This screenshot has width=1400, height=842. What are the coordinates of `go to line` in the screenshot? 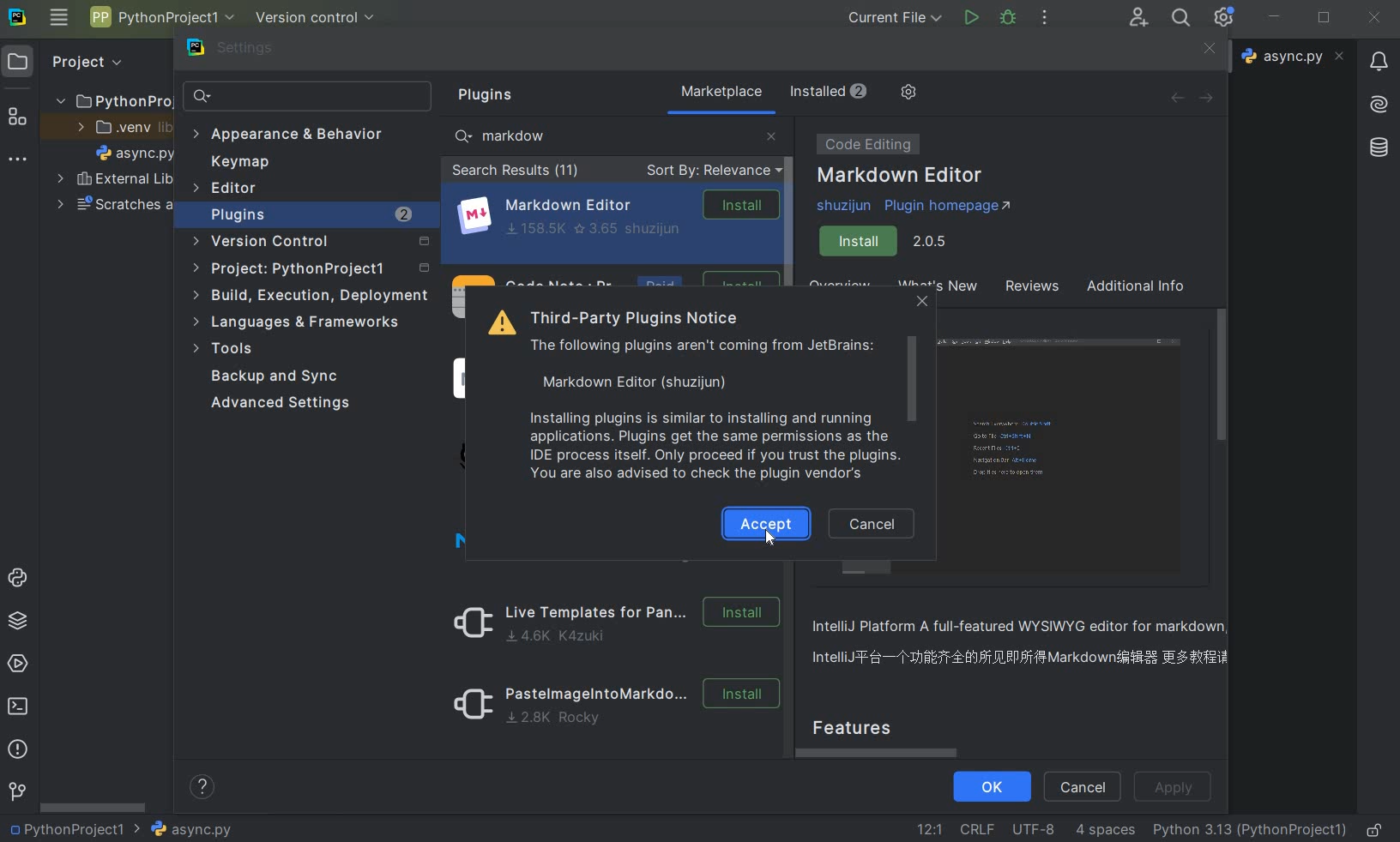 It's located at (930, 827).